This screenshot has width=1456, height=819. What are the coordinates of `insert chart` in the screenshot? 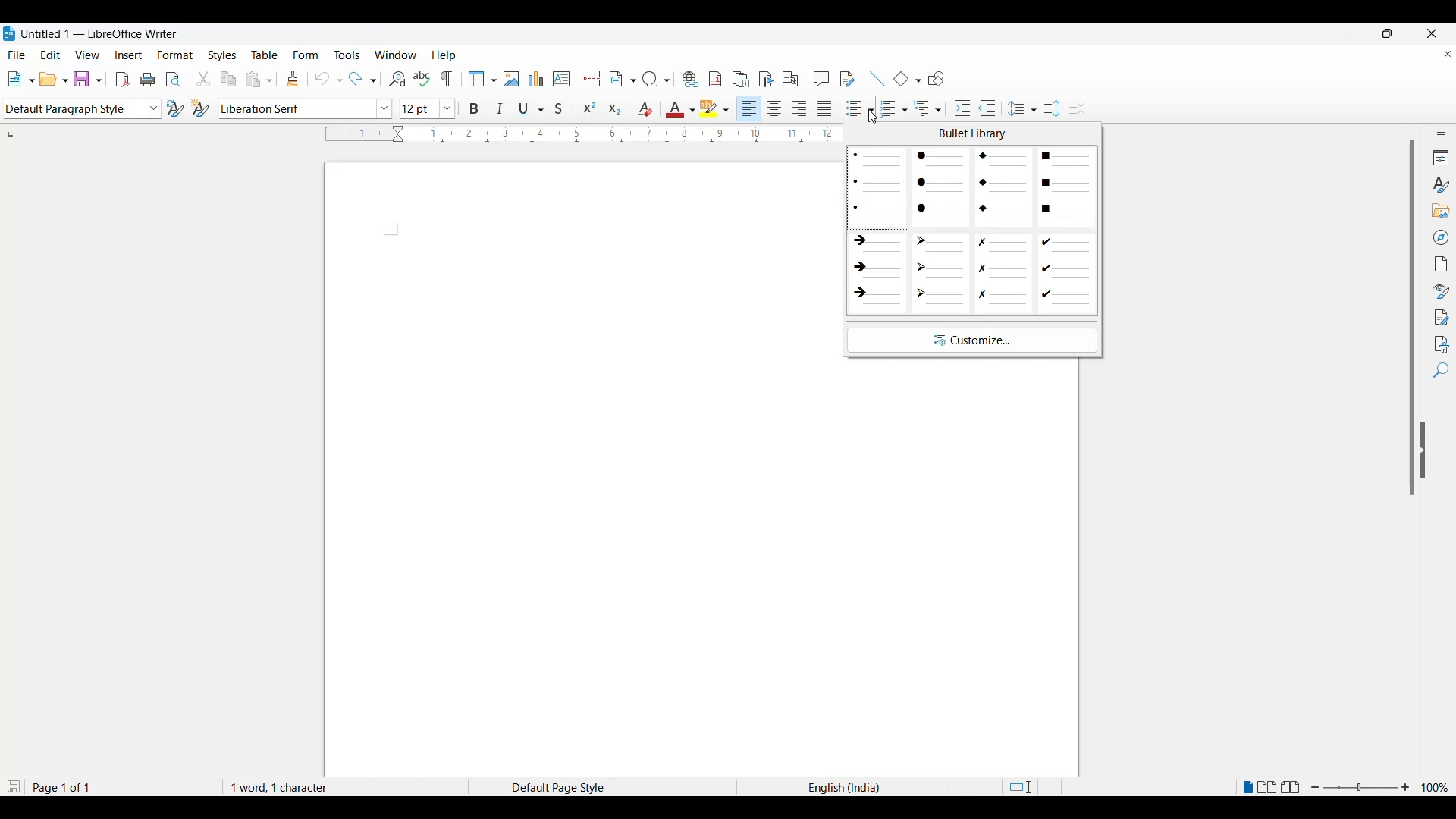 It's located at (537, 77).